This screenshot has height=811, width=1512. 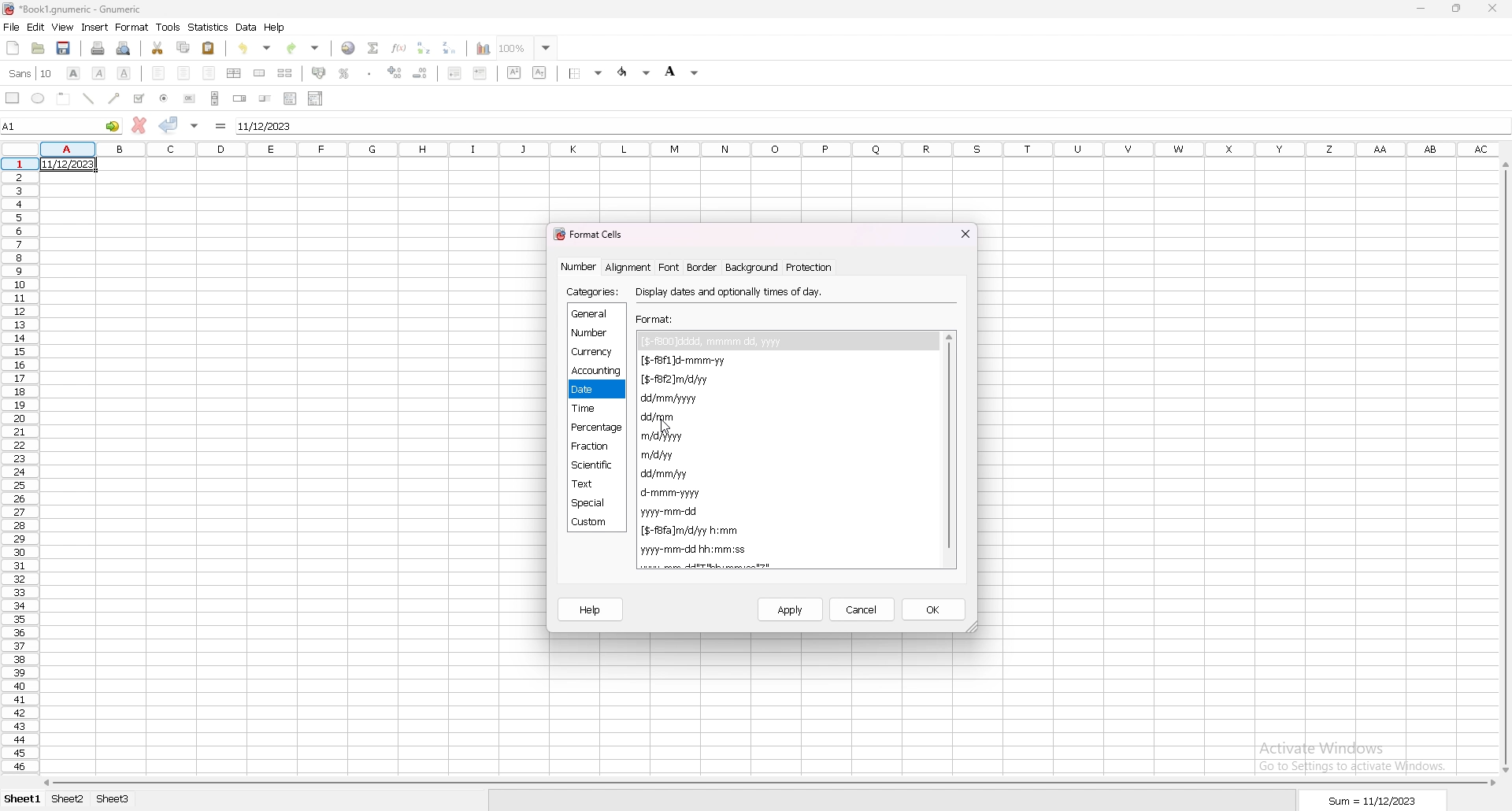 I want to click on radio button, so click(x=165, y=98).